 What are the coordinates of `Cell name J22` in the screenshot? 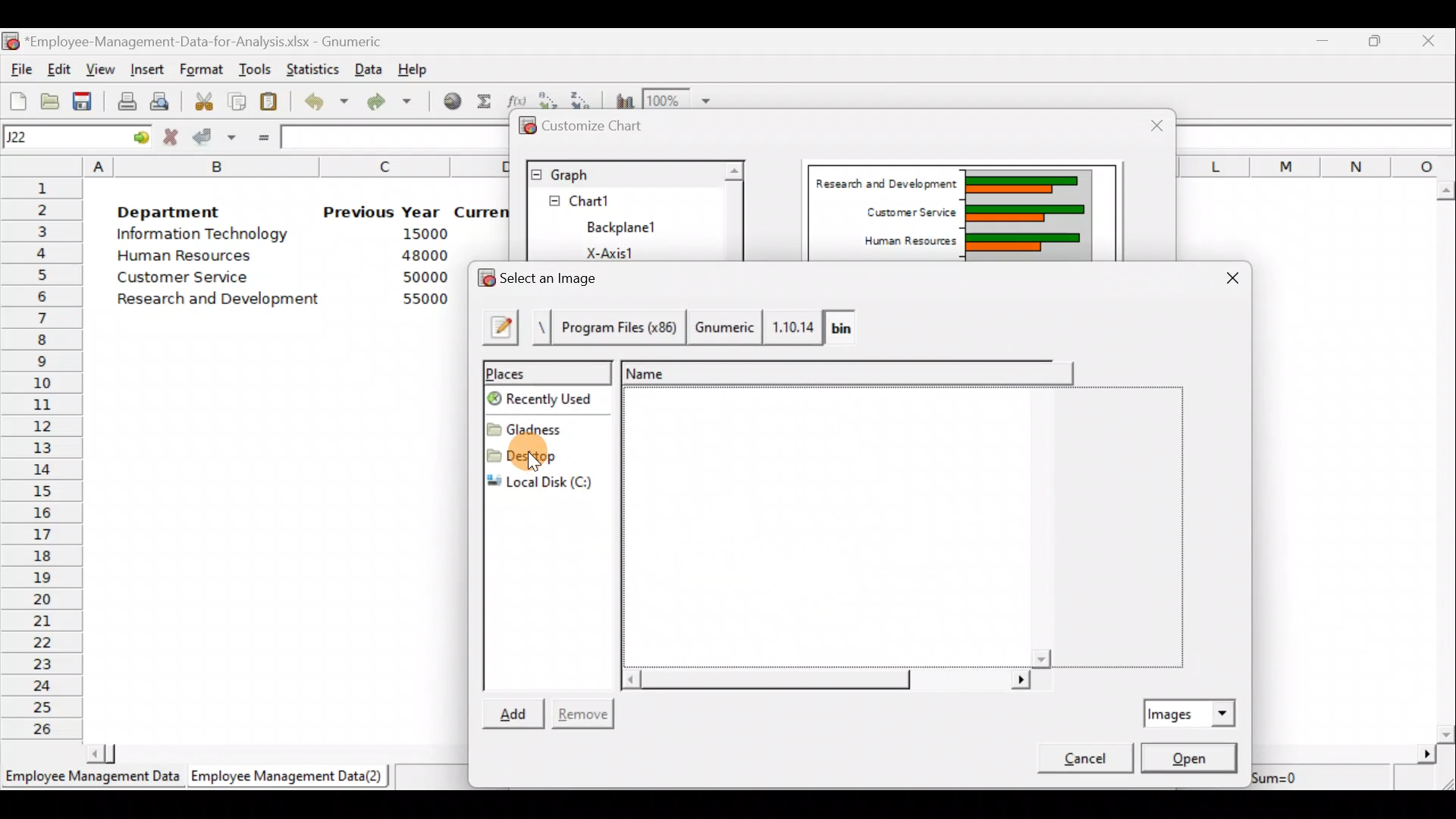 It's located at (58, 137).